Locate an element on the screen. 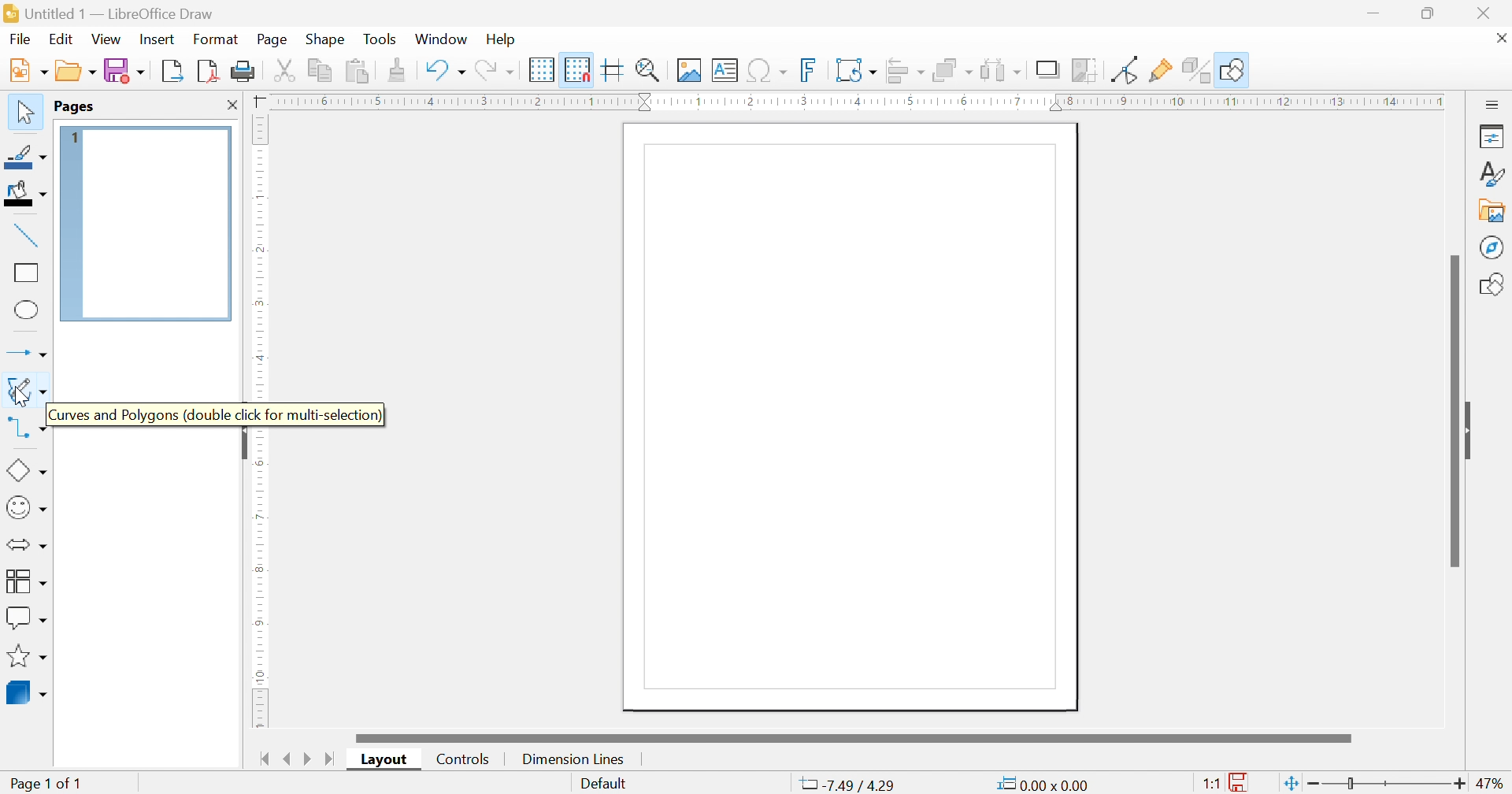 This screenshot has width=1512, height=794. close is located at coordinates (232, 104).